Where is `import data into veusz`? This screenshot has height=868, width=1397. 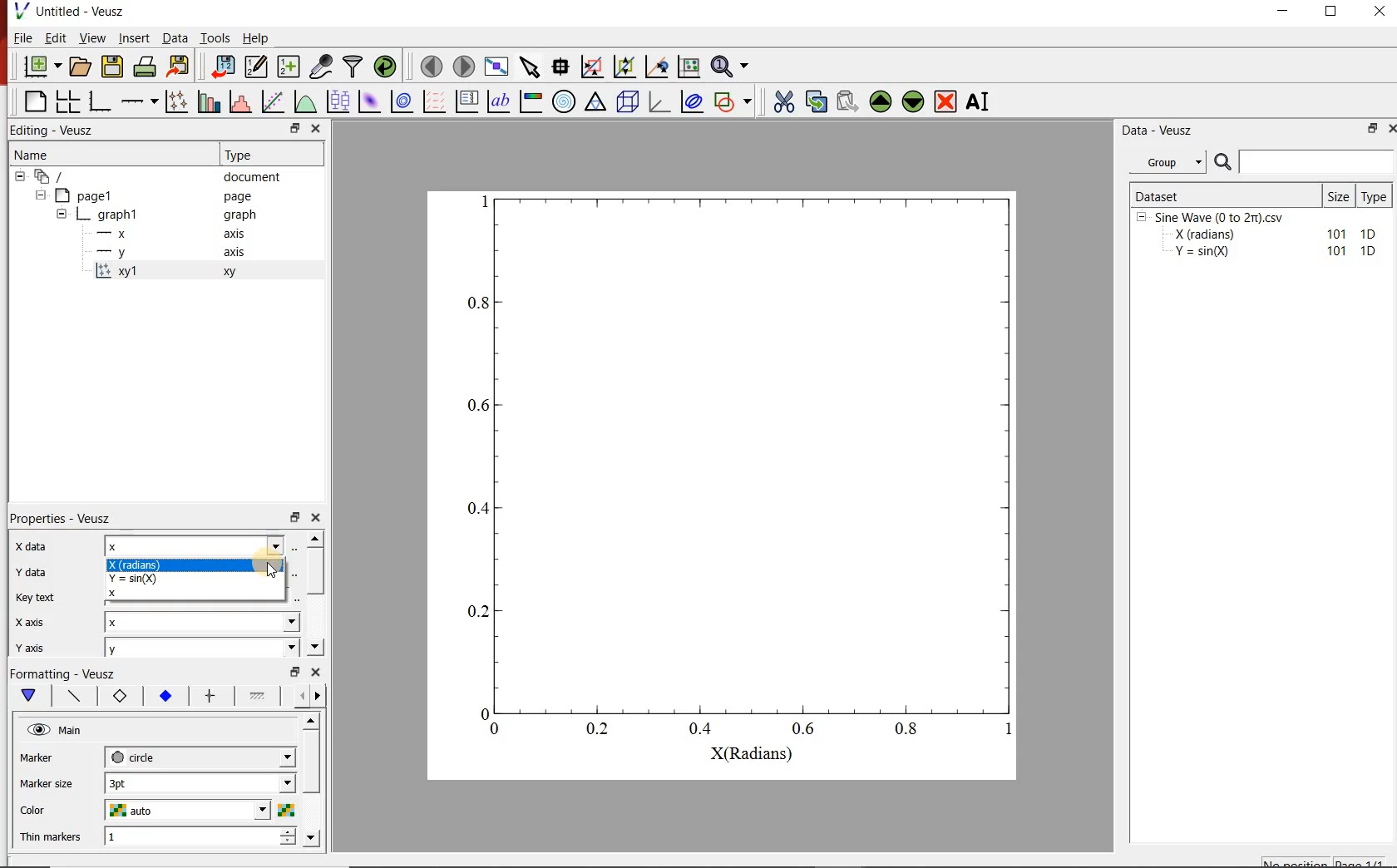
import data into veusz is located at coordinates (221, 66).